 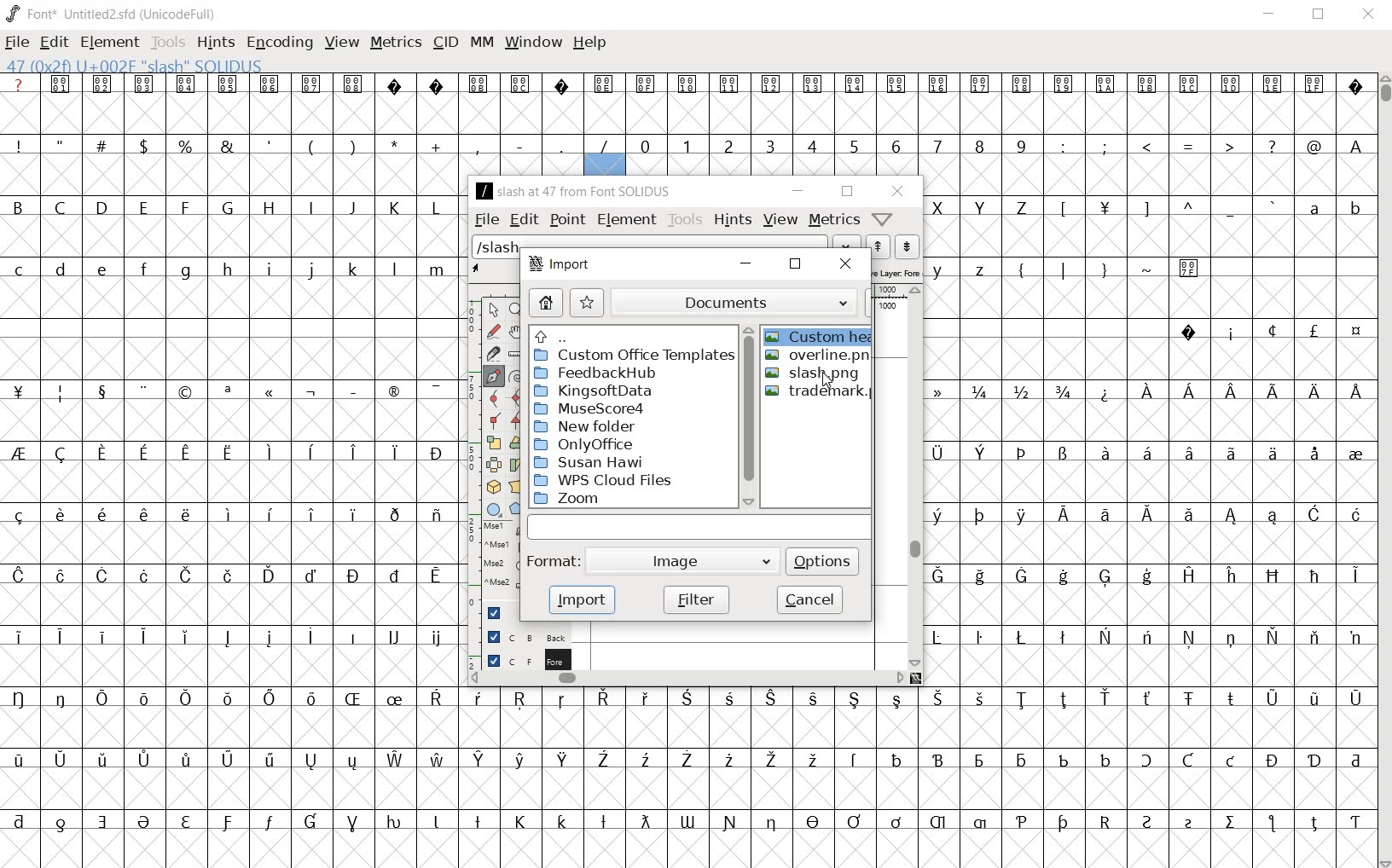 I want to click on guide, so click(x=494, y=610).